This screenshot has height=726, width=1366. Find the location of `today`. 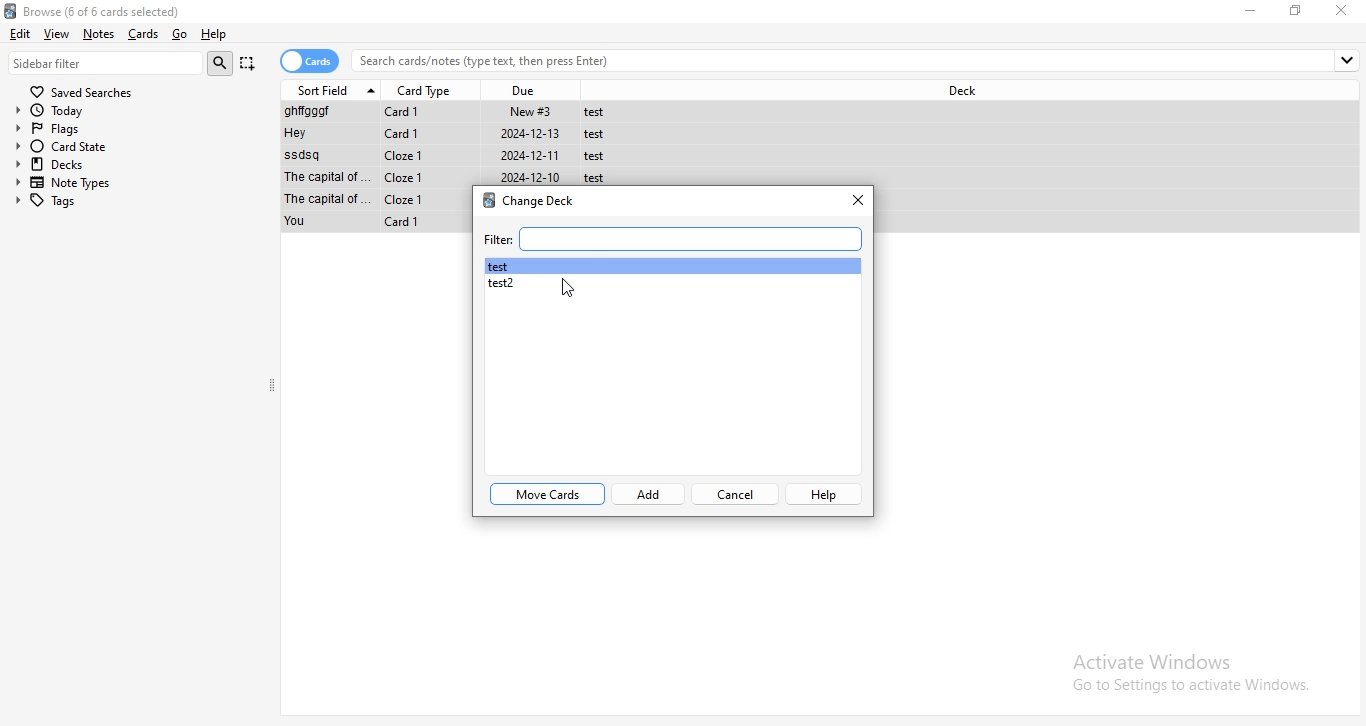

today is located at coordinates (131, 111).